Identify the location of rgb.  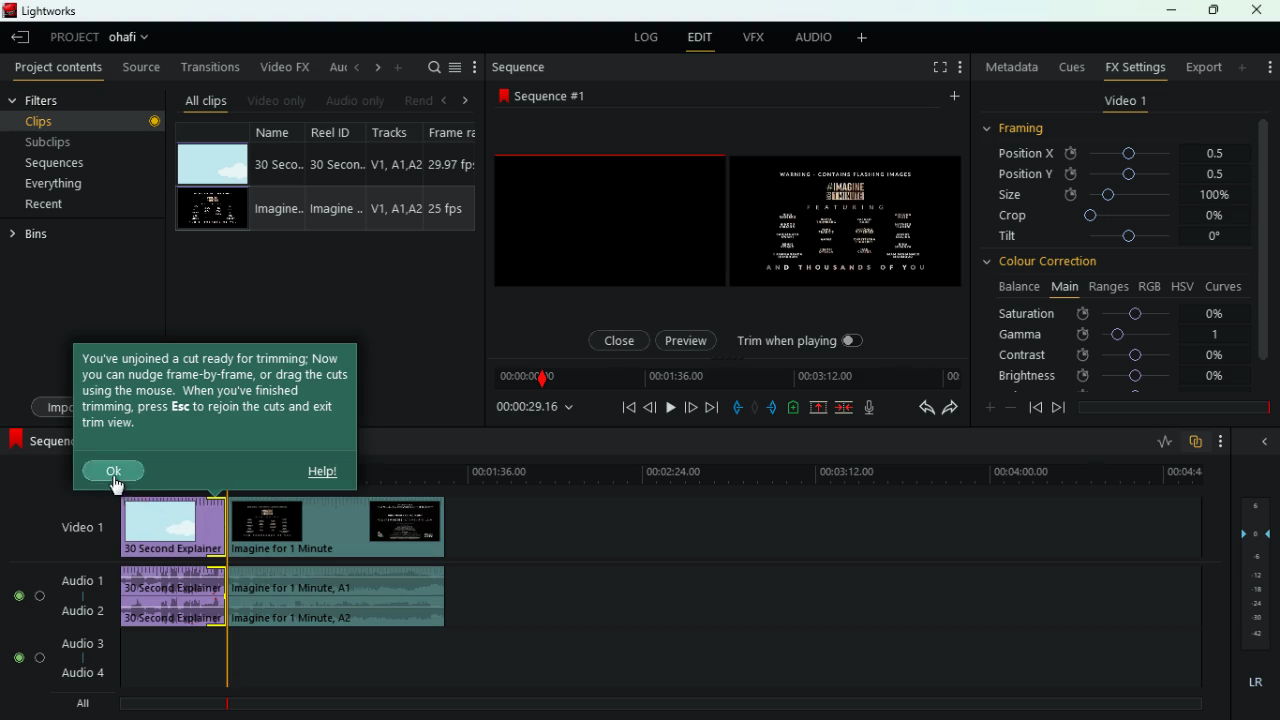
(1150, 285).